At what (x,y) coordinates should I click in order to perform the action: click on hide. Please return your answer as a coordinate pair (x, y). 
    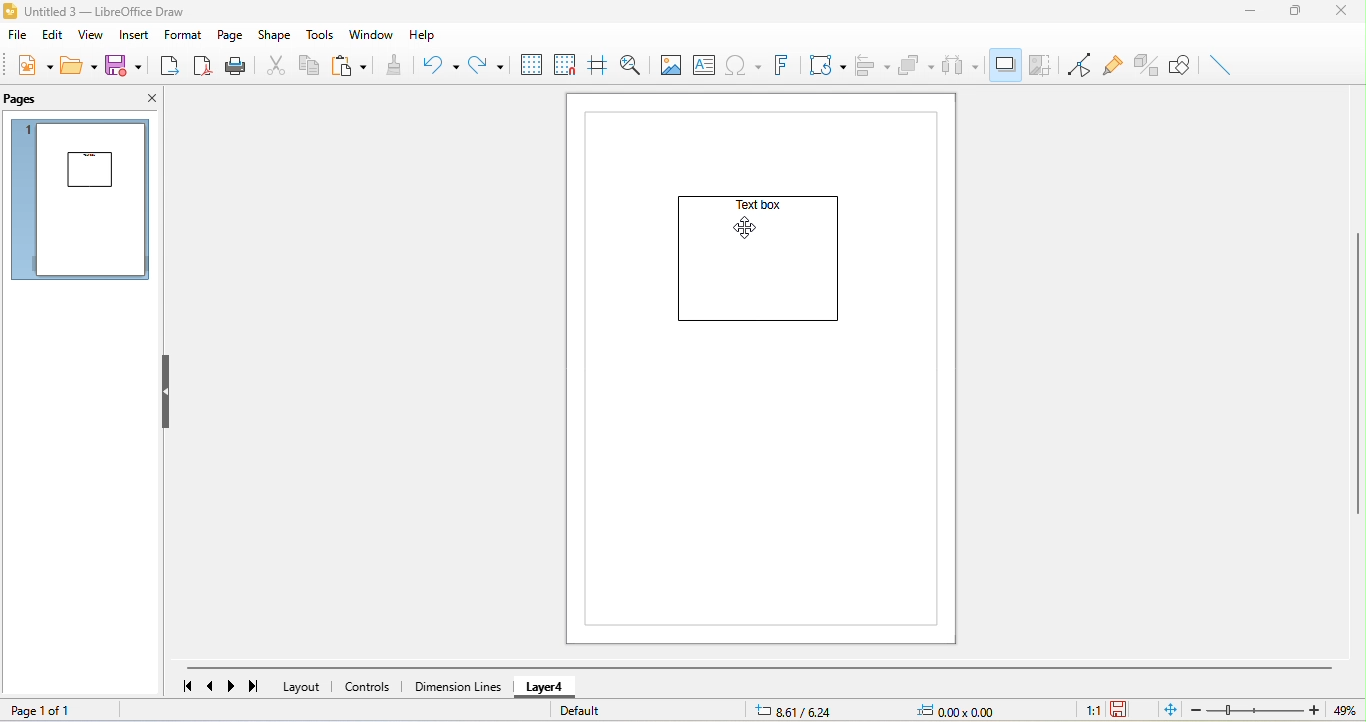
    Looking at the image, I should click on (171, 390).